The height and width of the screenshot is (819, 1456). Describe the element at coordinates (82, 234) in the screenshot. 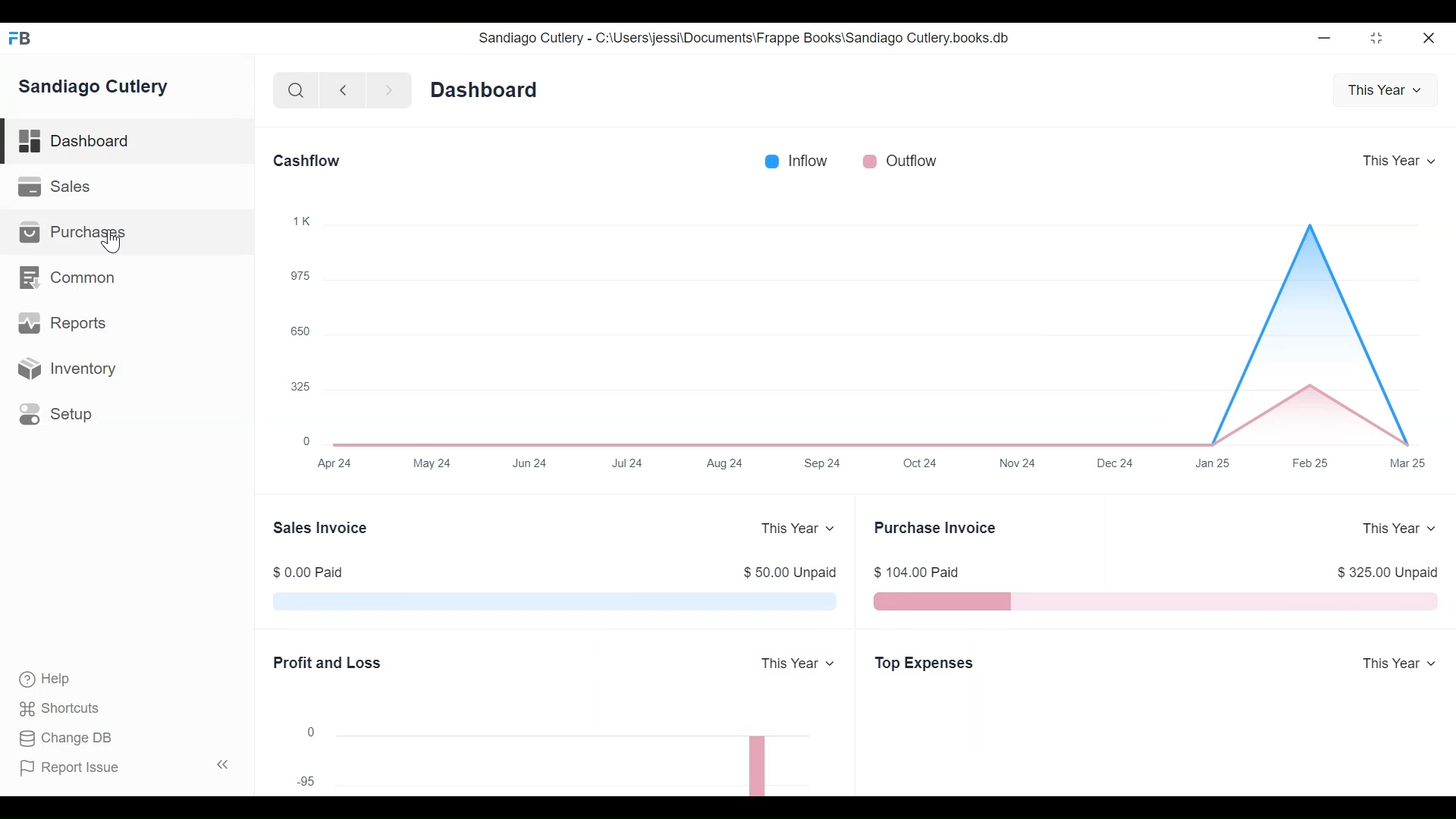

I see `Purchases` at that location.